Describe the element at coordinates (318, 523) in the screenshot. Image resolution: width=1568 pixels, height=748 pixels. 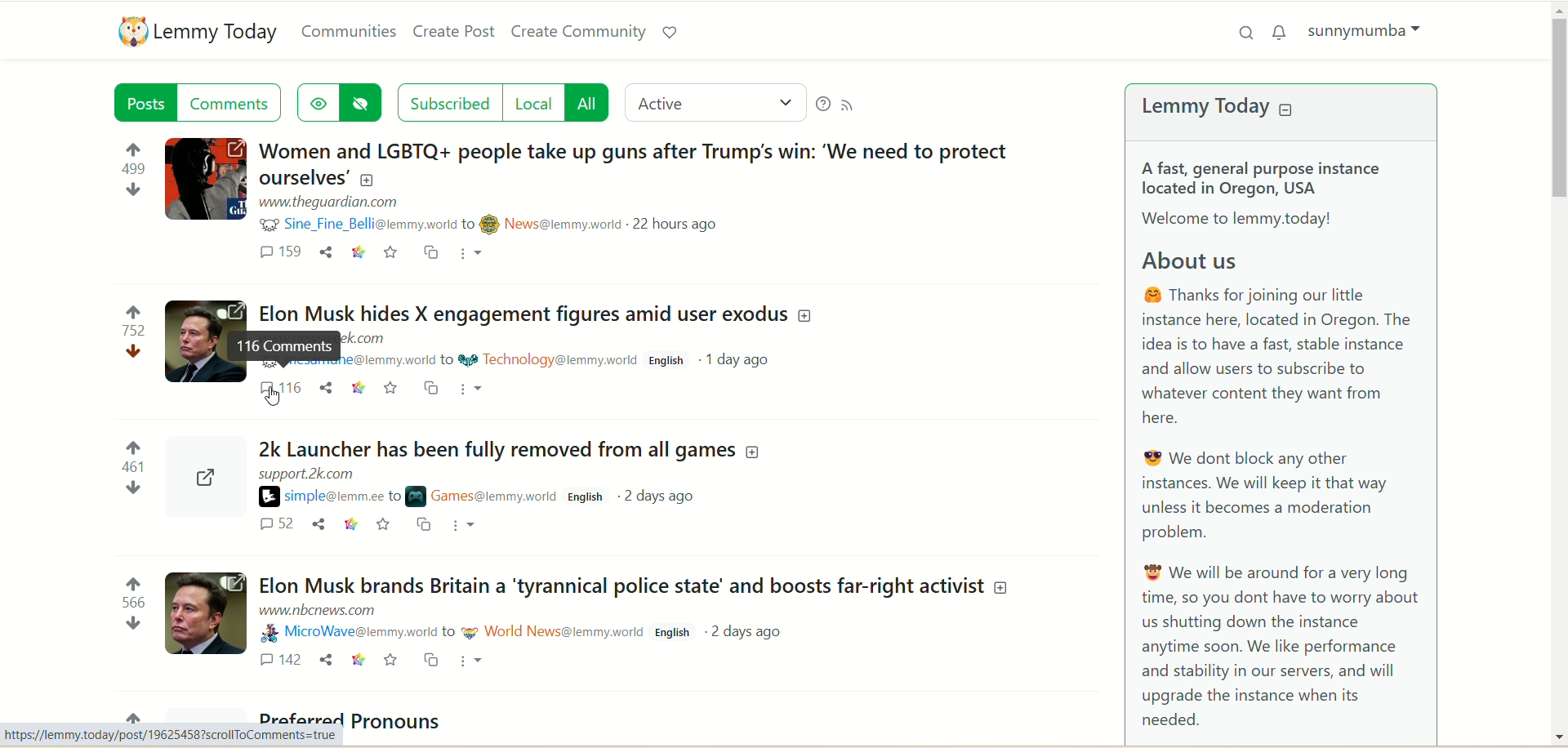
I see `share` at that location.